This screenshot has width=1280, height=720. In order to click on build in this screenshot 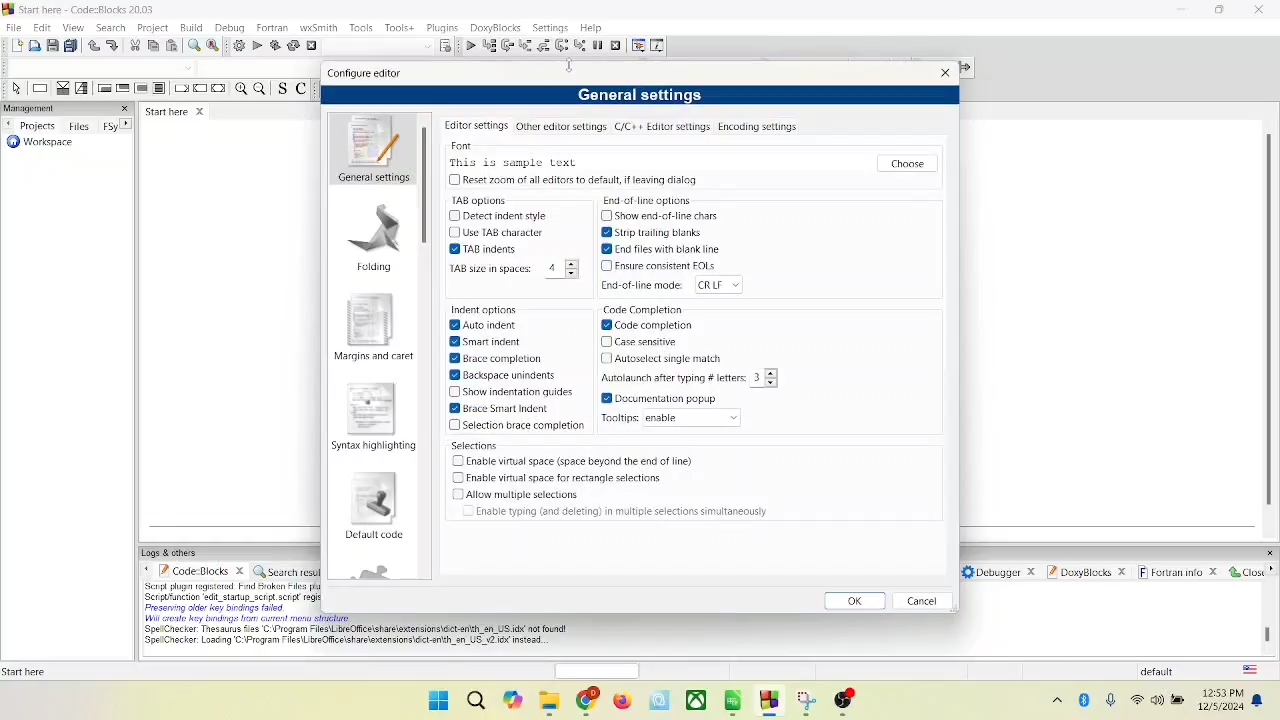, I will do `click(238, 46)`.